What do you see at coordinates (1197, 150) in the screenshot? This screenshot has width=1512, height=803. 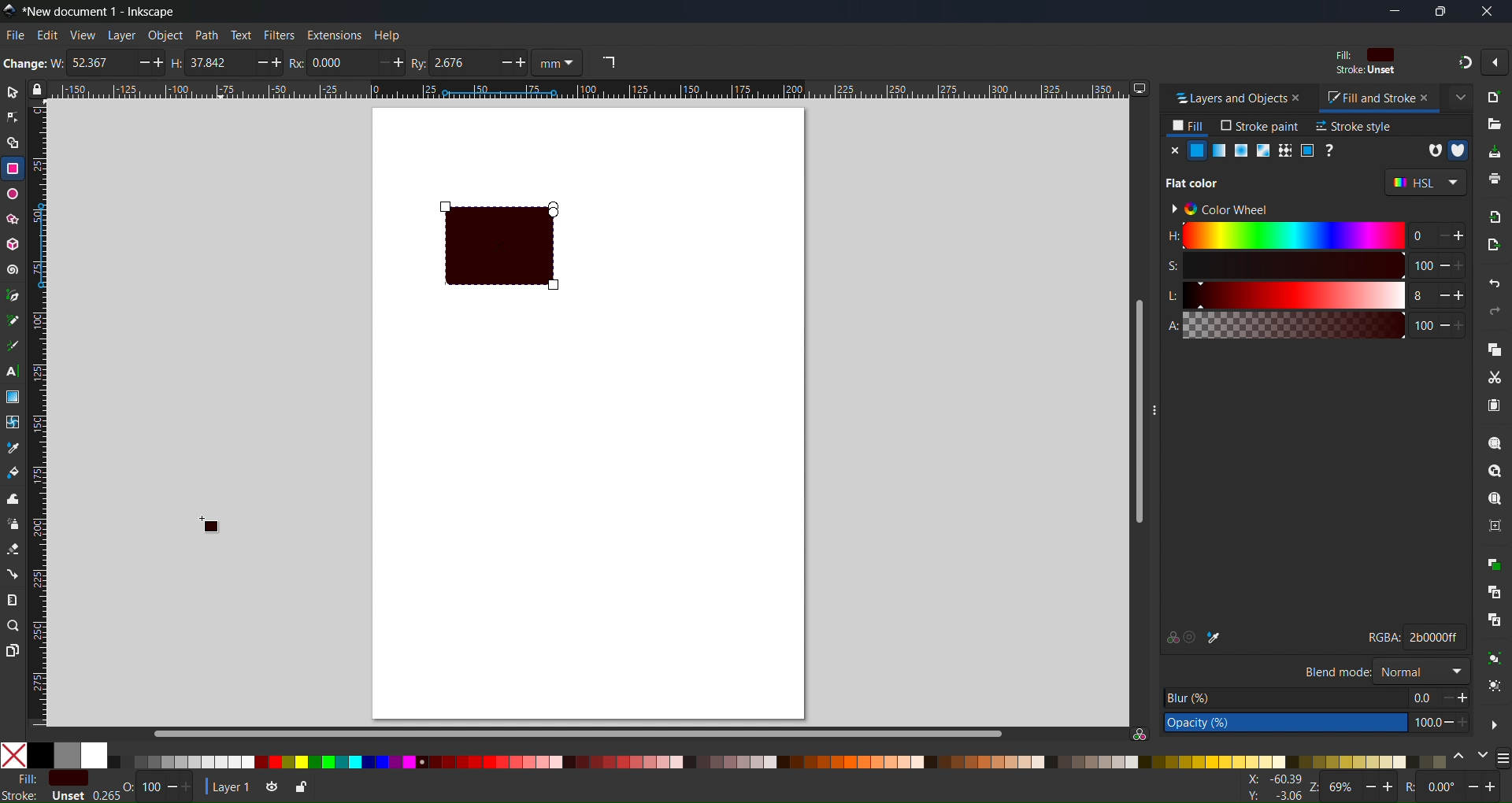 I see `Flat color` at bounding box center [1197, 150].